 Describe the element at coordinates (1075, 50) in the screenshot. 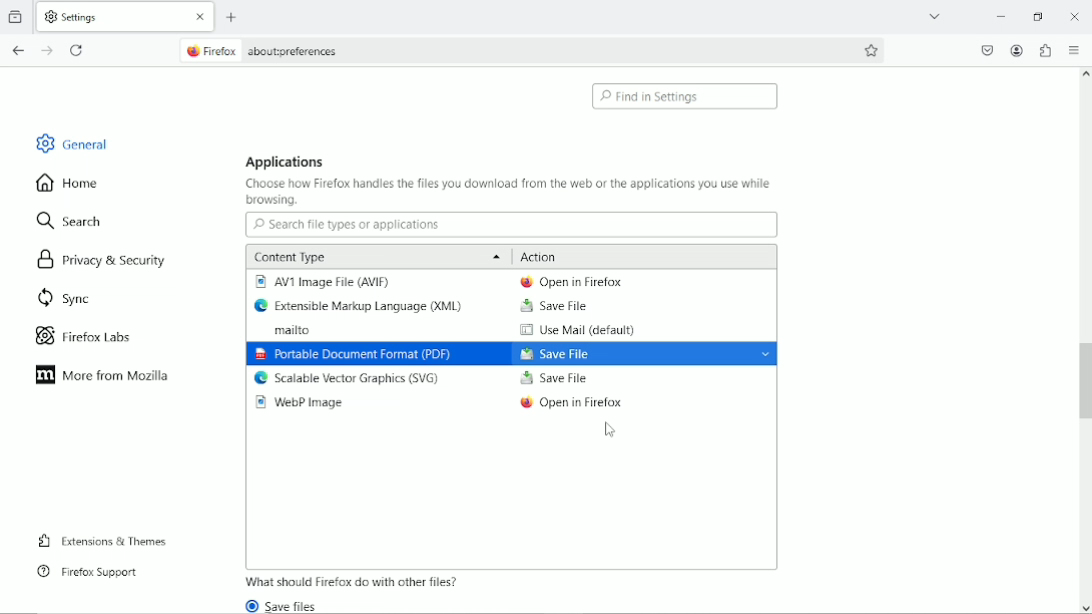

I see `Open application menu` at that location.